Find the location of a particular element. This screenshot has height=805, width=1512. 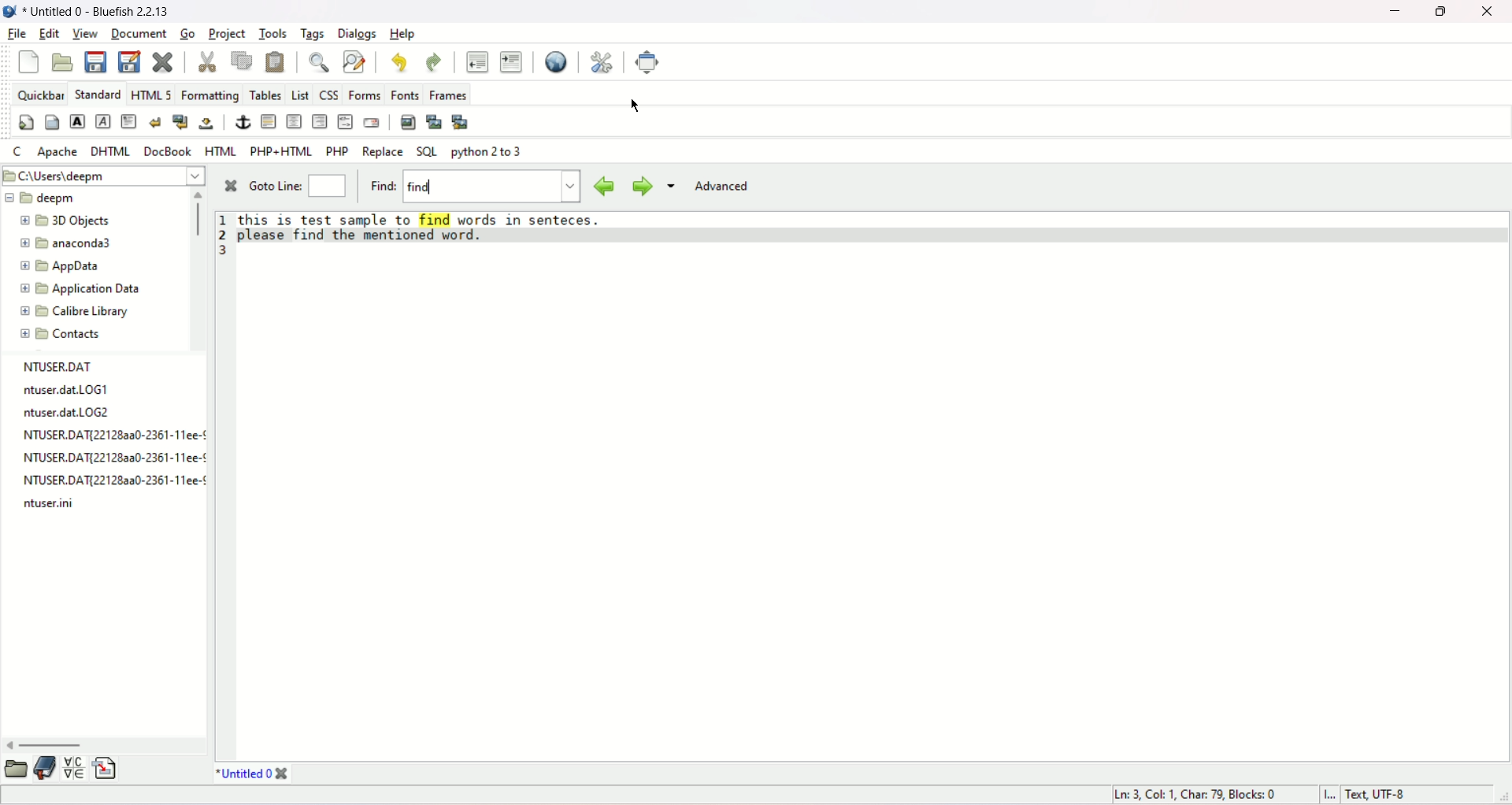

formatting is located at coordinates (210, 94).